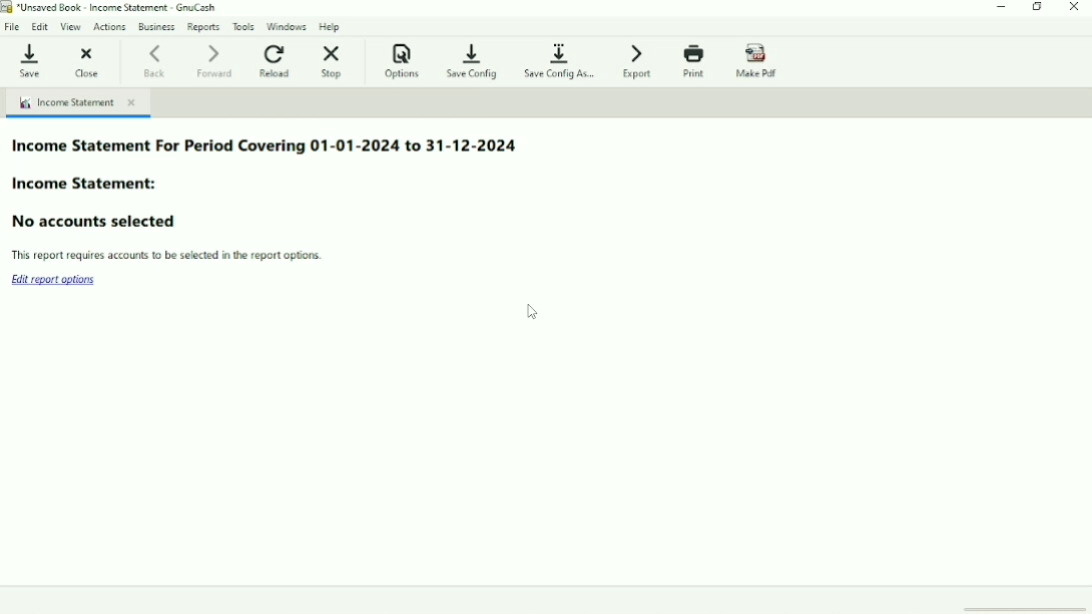  What do you see at coordinates (94, 185) in the screenshot?
I see `Income Statement:` at bounding box center [94, 185].